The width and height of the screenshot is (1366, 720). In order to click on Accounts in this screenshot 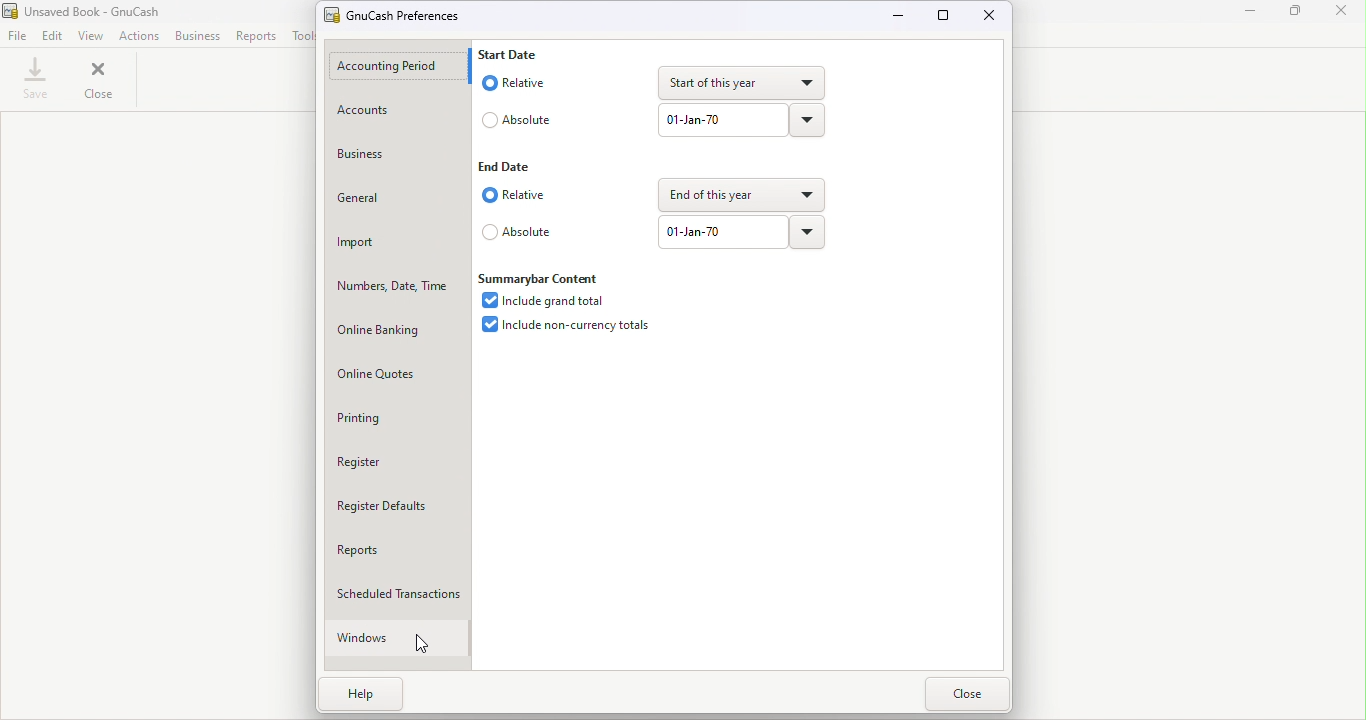, I will do `click(397, 113)`.